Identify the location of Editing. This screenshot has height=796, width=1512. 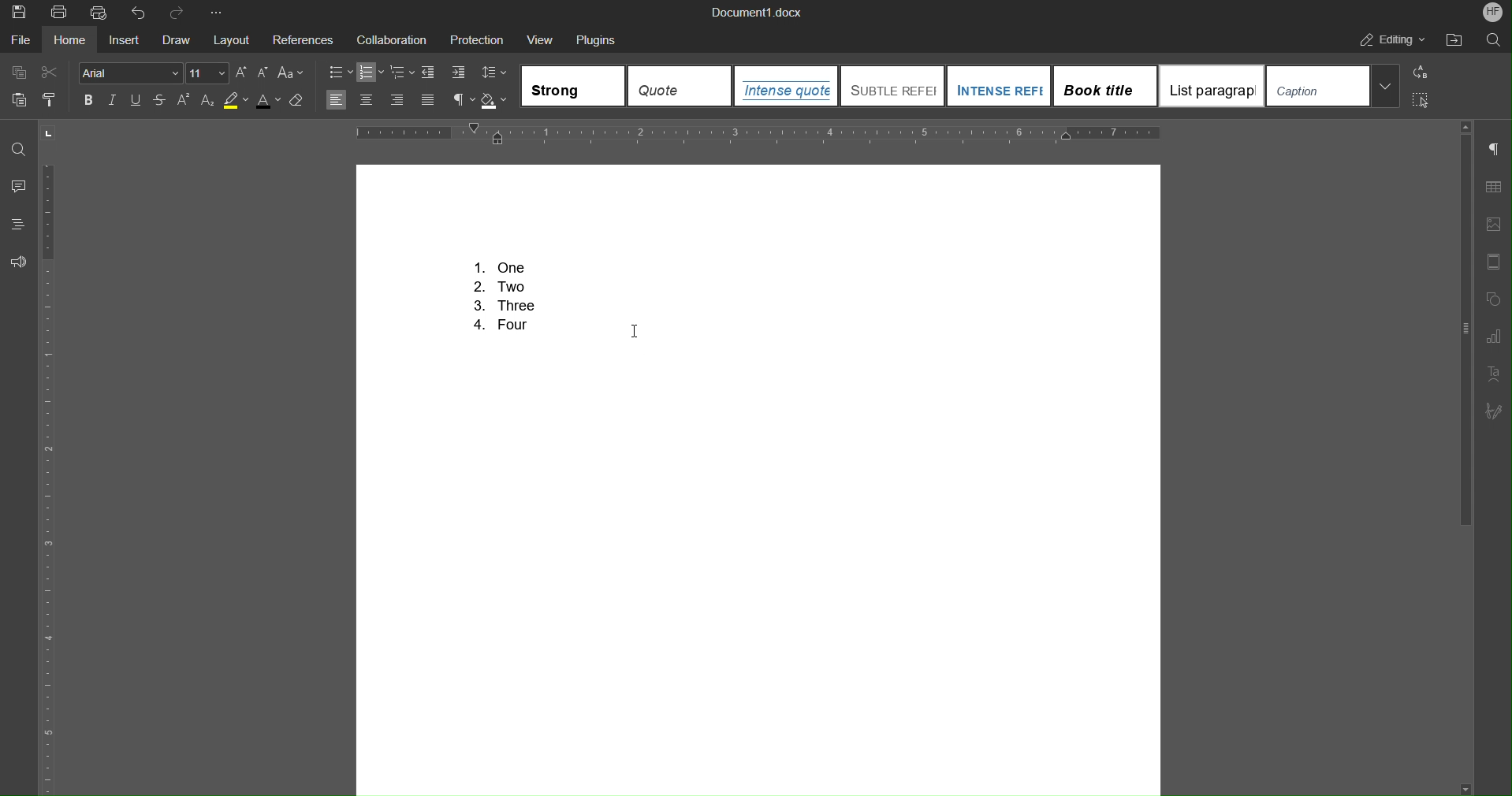
(1388, 39).